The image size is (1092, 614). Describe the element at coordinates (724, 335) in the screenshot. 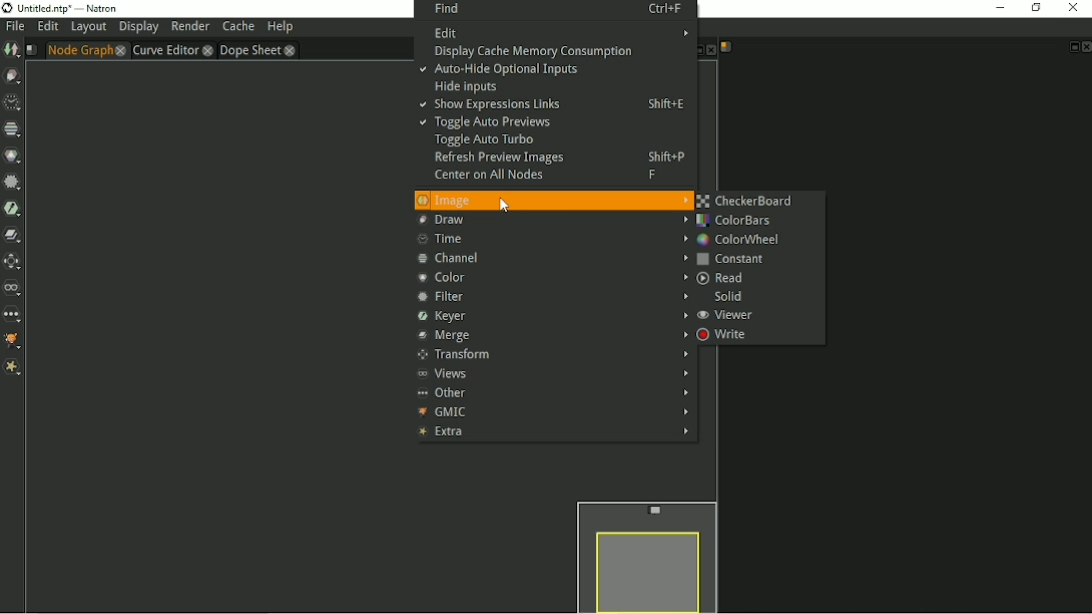

I see `Write` at that location.